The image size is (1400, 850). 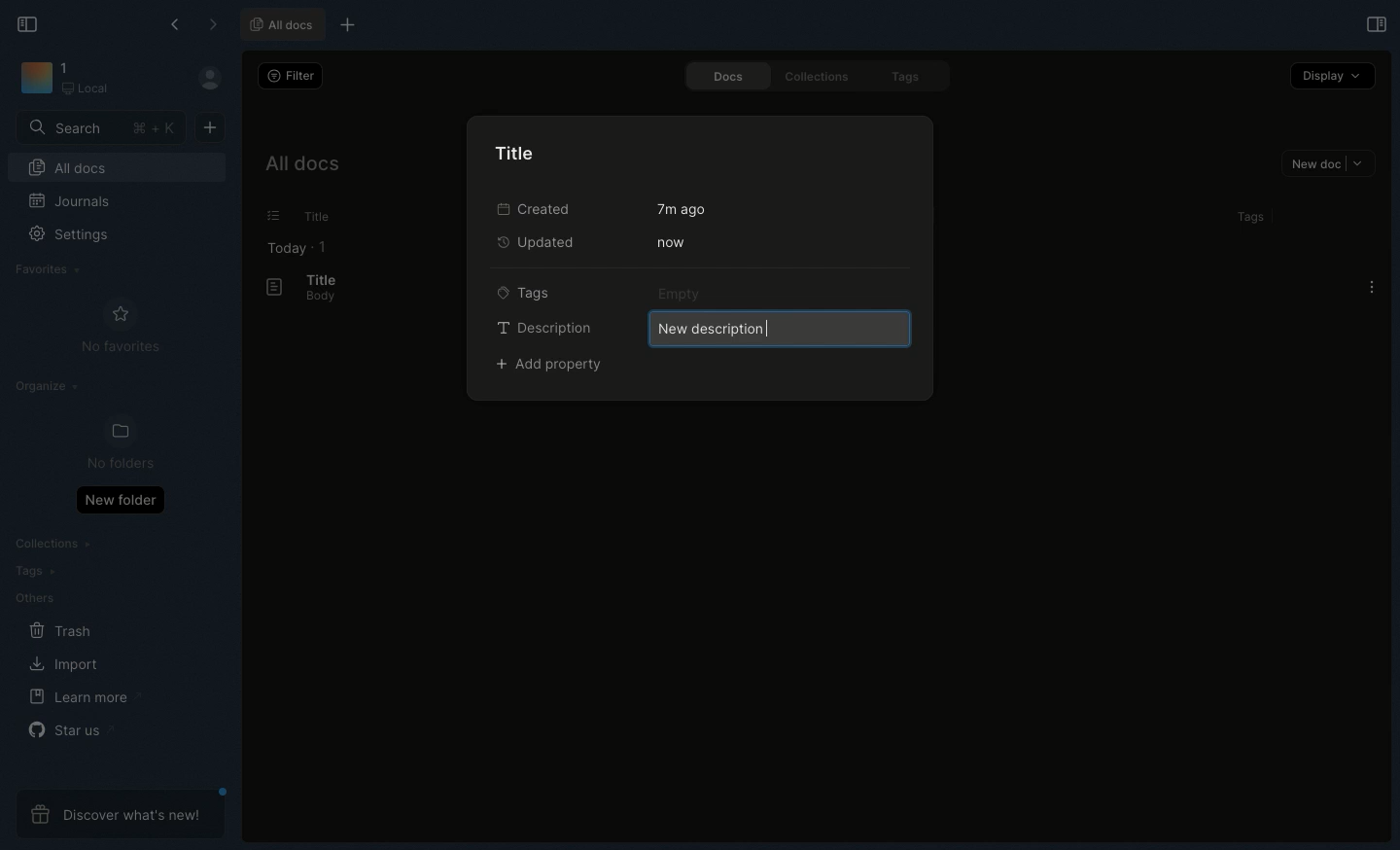 What do you see at coordinates (684, 209) in the screenshot?
I see `7m ago` at bounding box center [684, 209].